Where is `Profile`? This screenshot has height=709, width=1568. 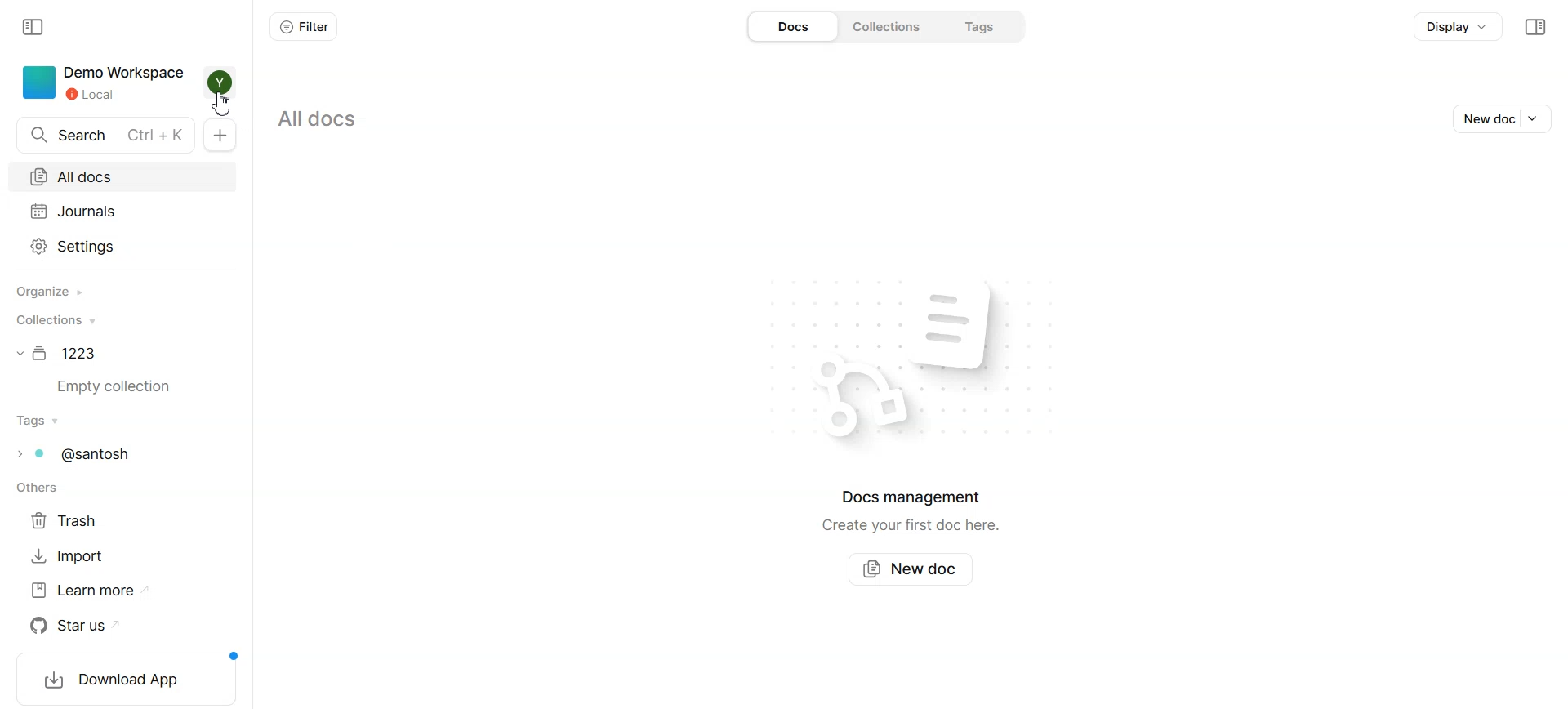
Profile is located at coordinates (221, 82).